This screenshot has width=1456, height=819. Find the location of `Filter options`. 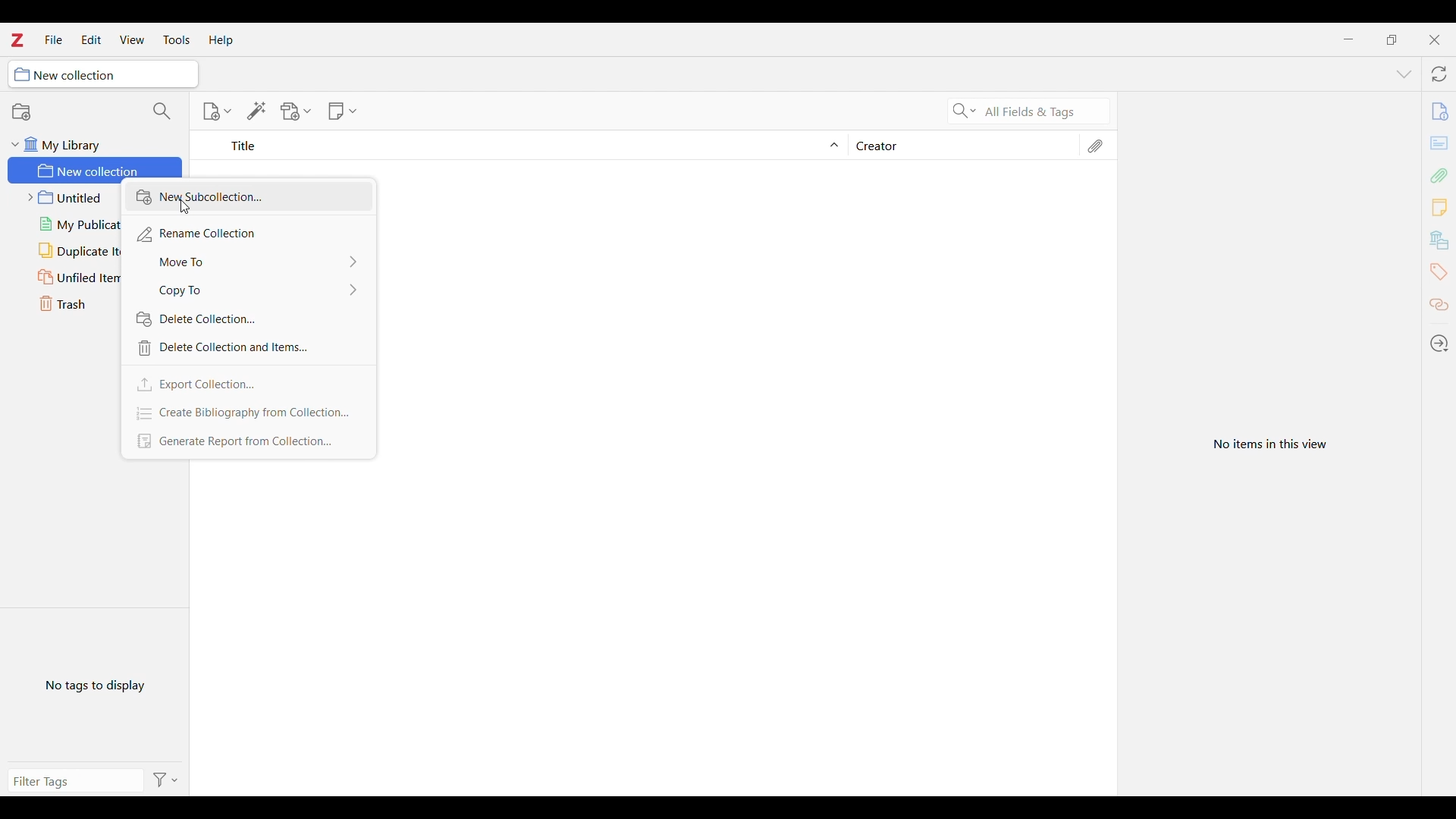

Filter options is located at coordinates (170, 780).